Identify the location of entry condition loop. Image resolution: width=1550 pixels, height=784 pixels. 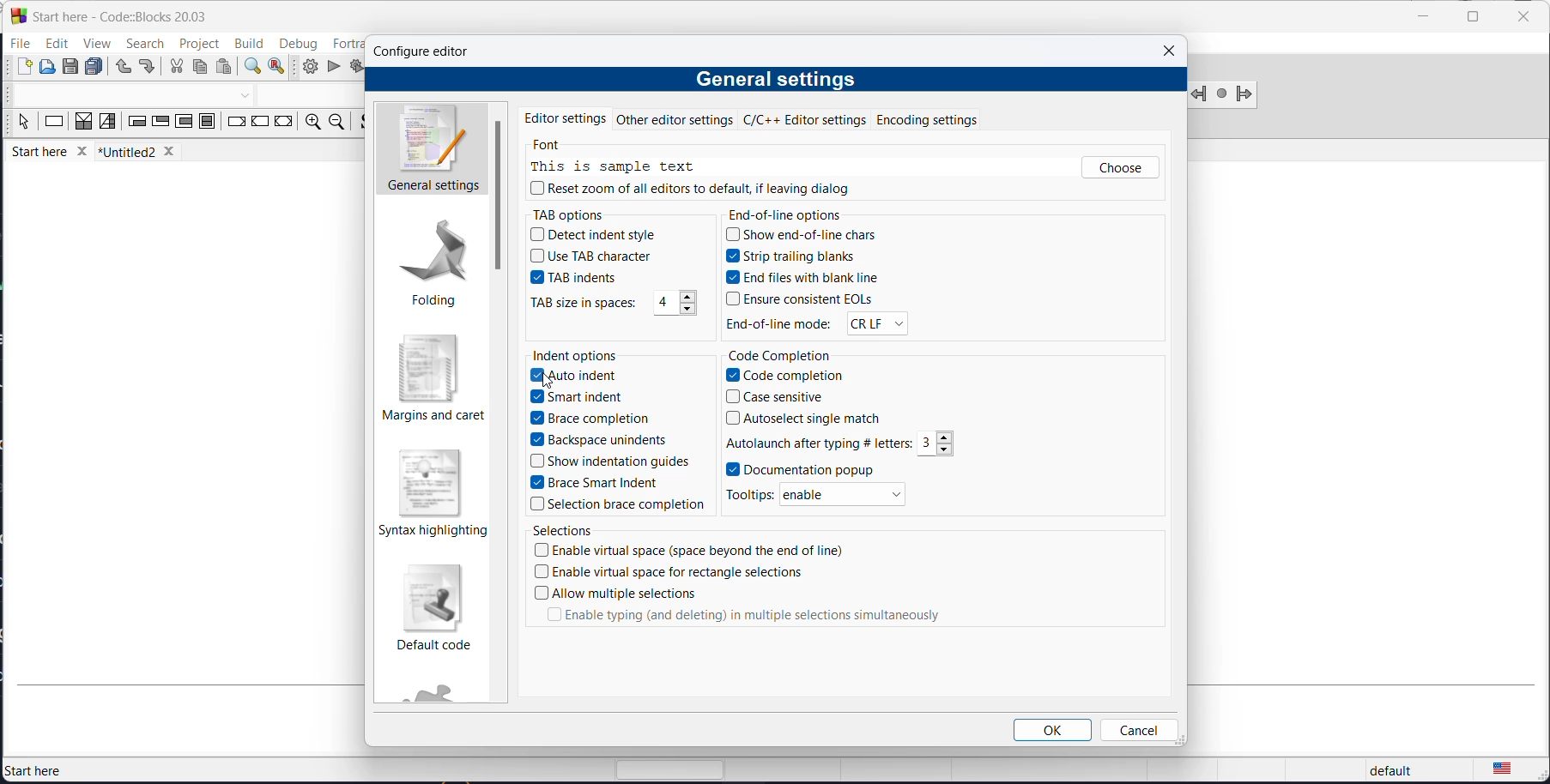
(136, 124).